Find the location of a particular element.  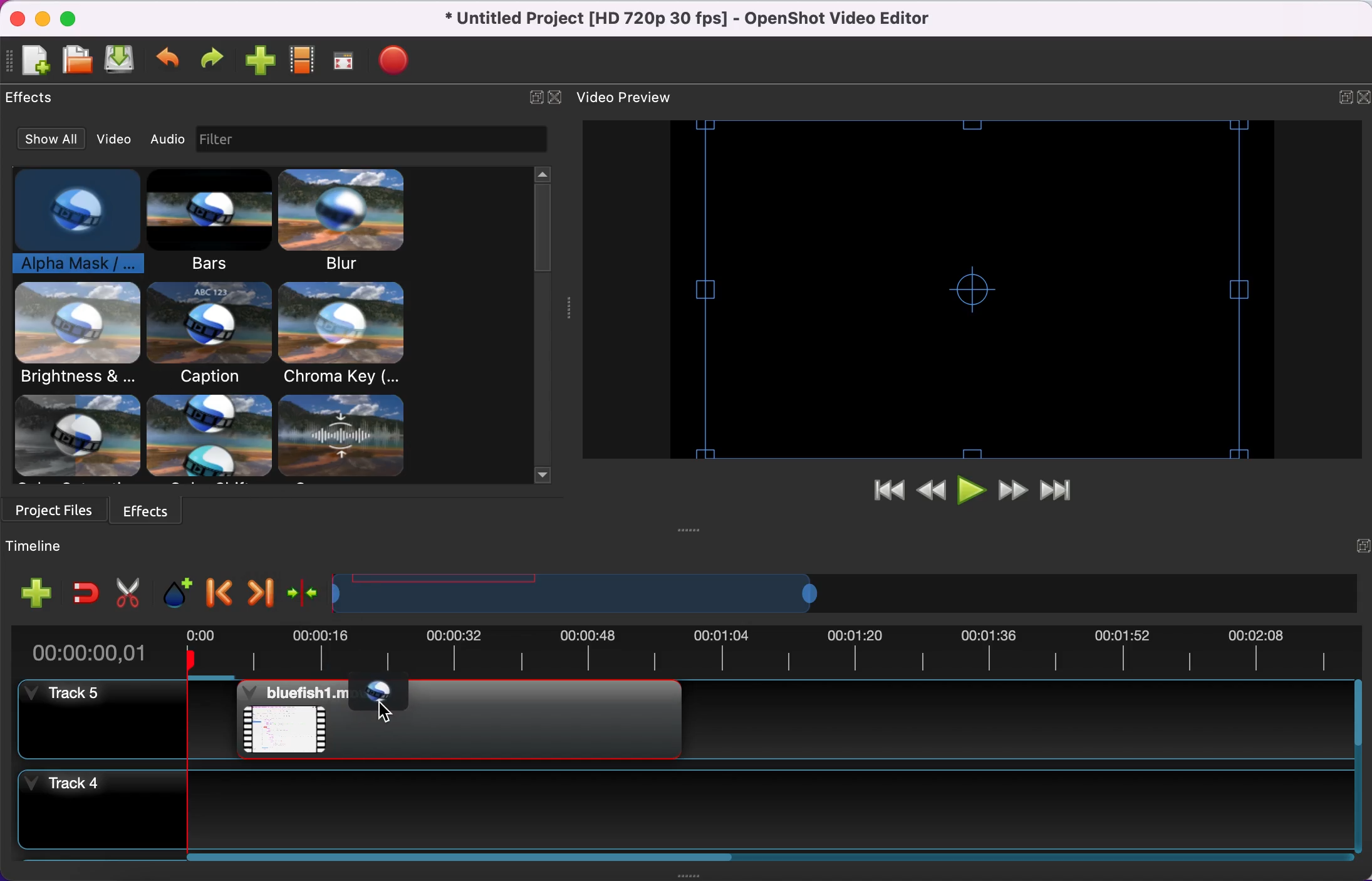

video preview is located at coordinates (965, 288).